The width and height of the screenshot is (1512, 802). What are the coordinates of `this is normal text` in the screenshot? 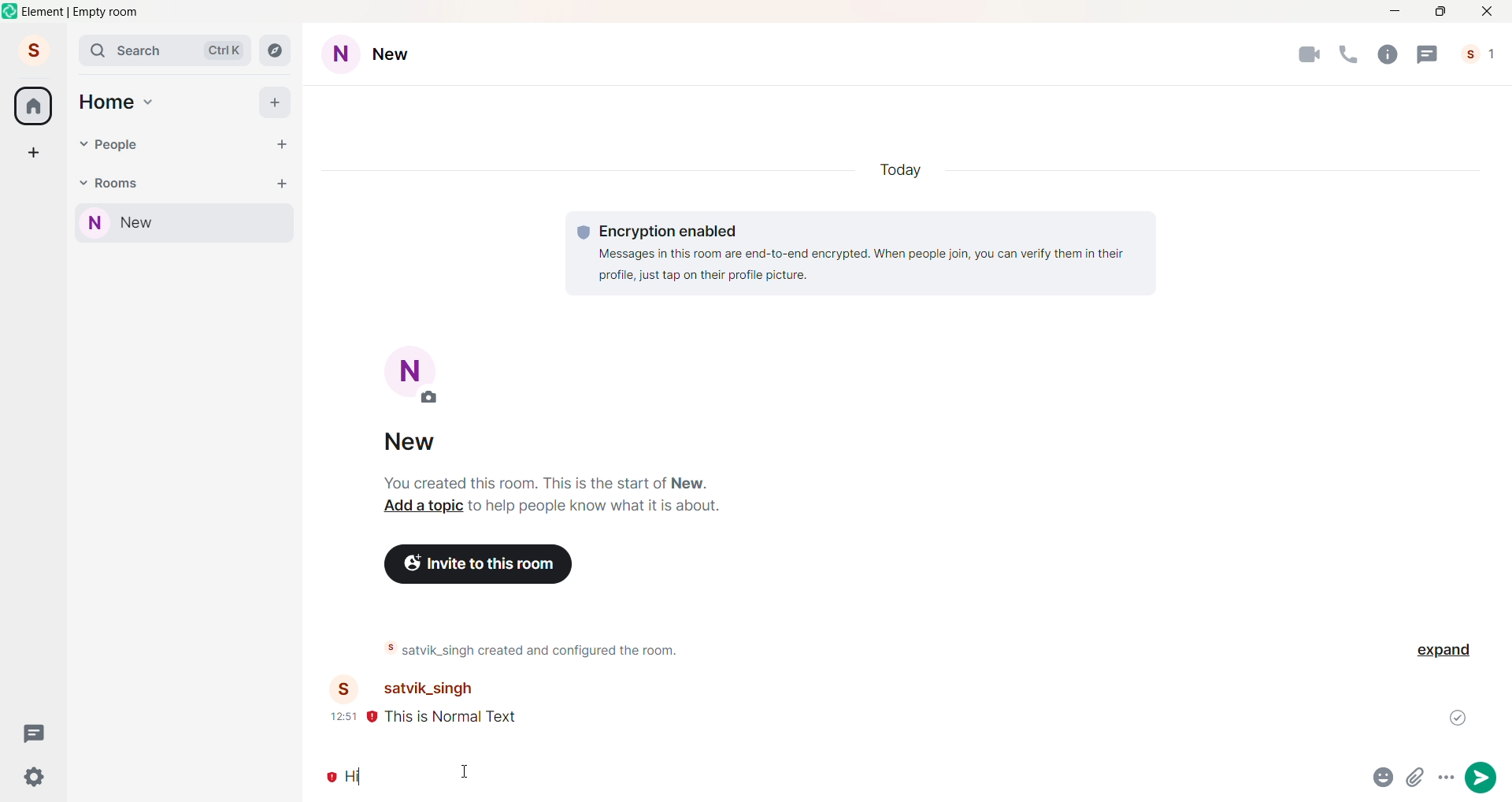 It's located at (473, 719).